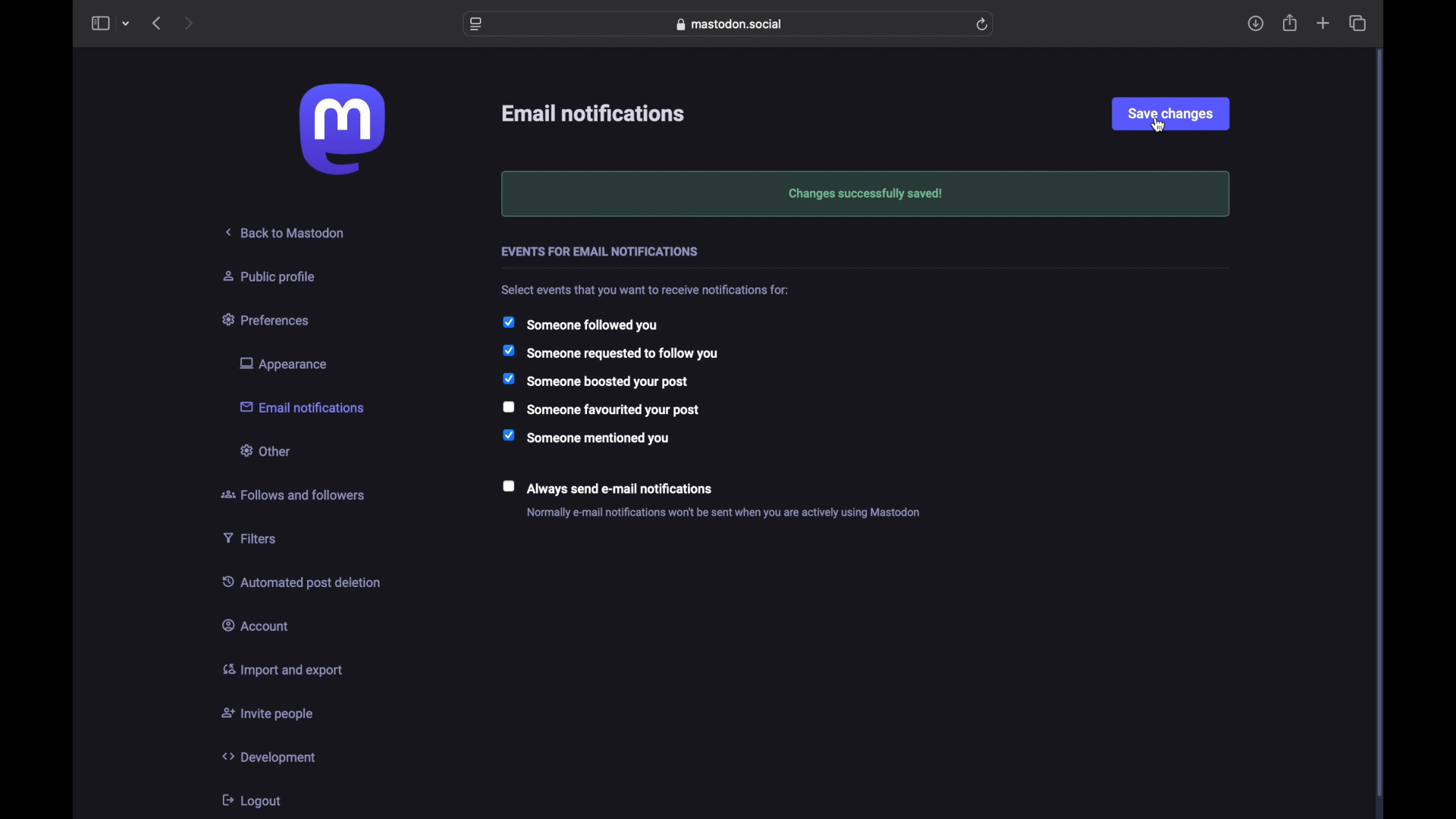 The width and height of the screenshot is (1456, 819). What do you see at coordinates (269, 276) in the screenshot?
I see `public profile` at bounding box center [269, 276].